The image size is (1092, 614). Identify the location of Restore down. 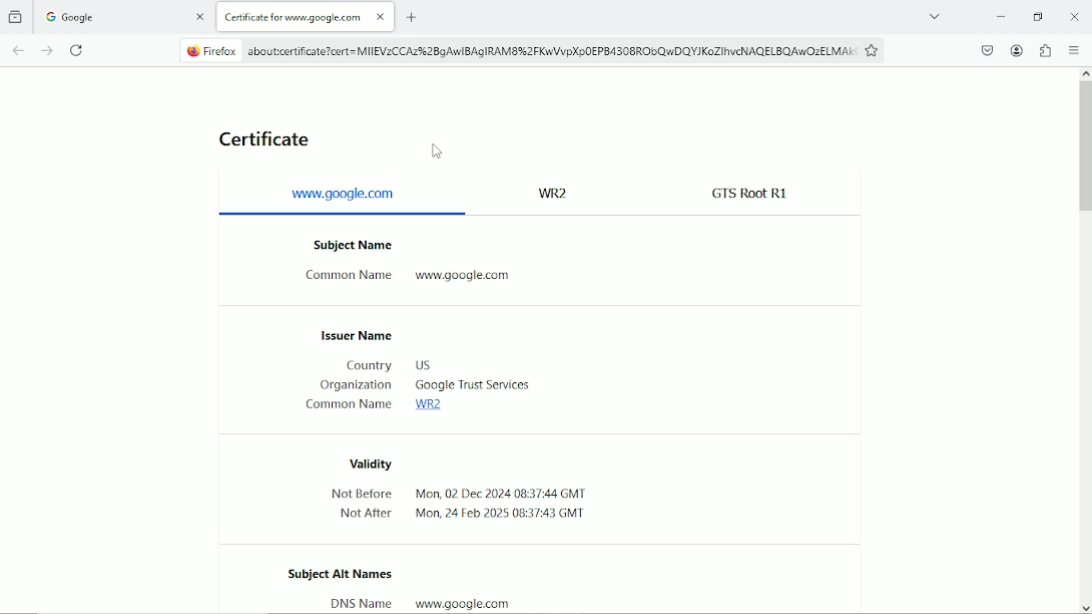
(1038, 16).